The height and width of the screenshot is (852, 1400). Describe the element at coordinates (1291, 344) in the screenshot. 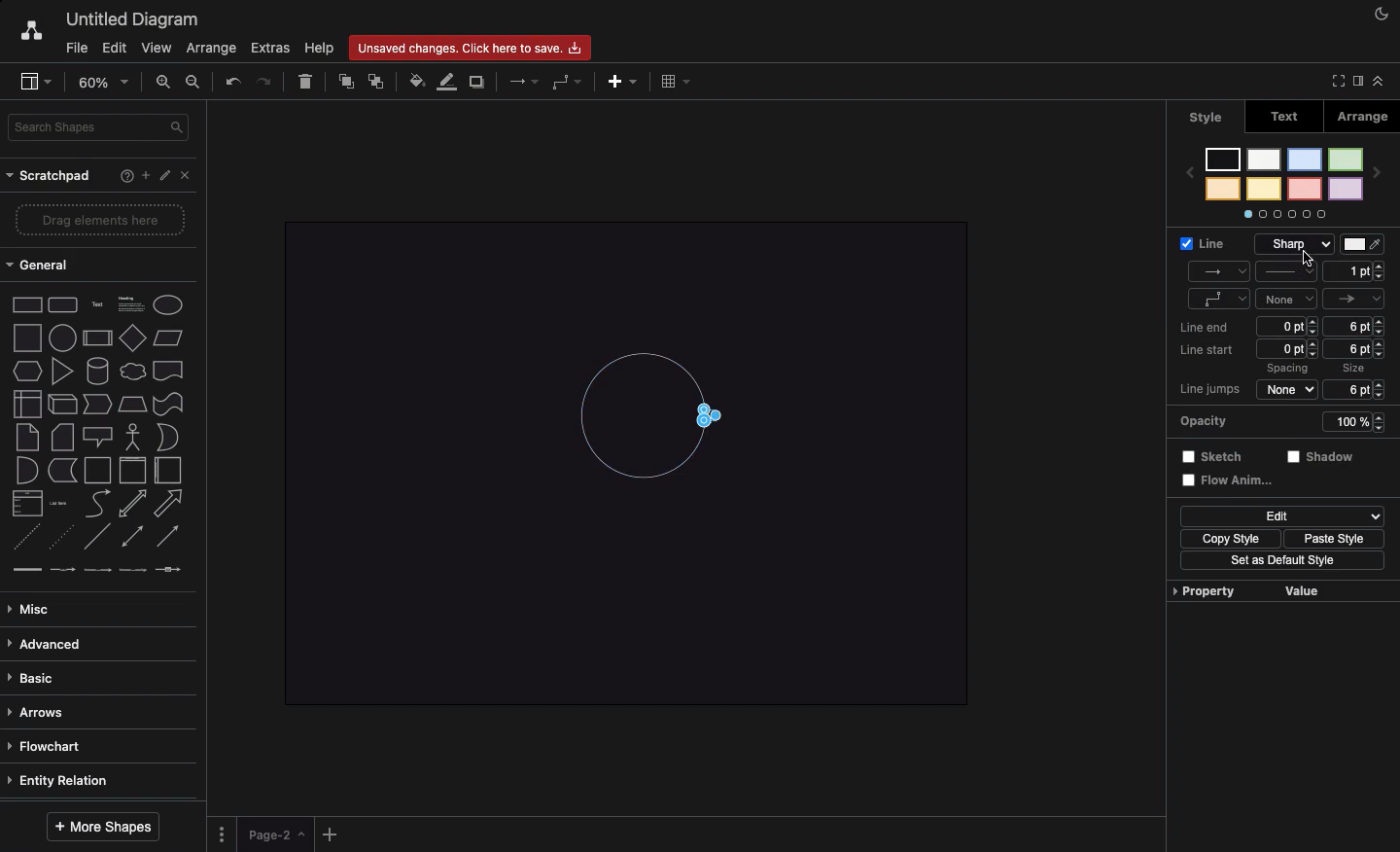

I see `Spacing` at that location.